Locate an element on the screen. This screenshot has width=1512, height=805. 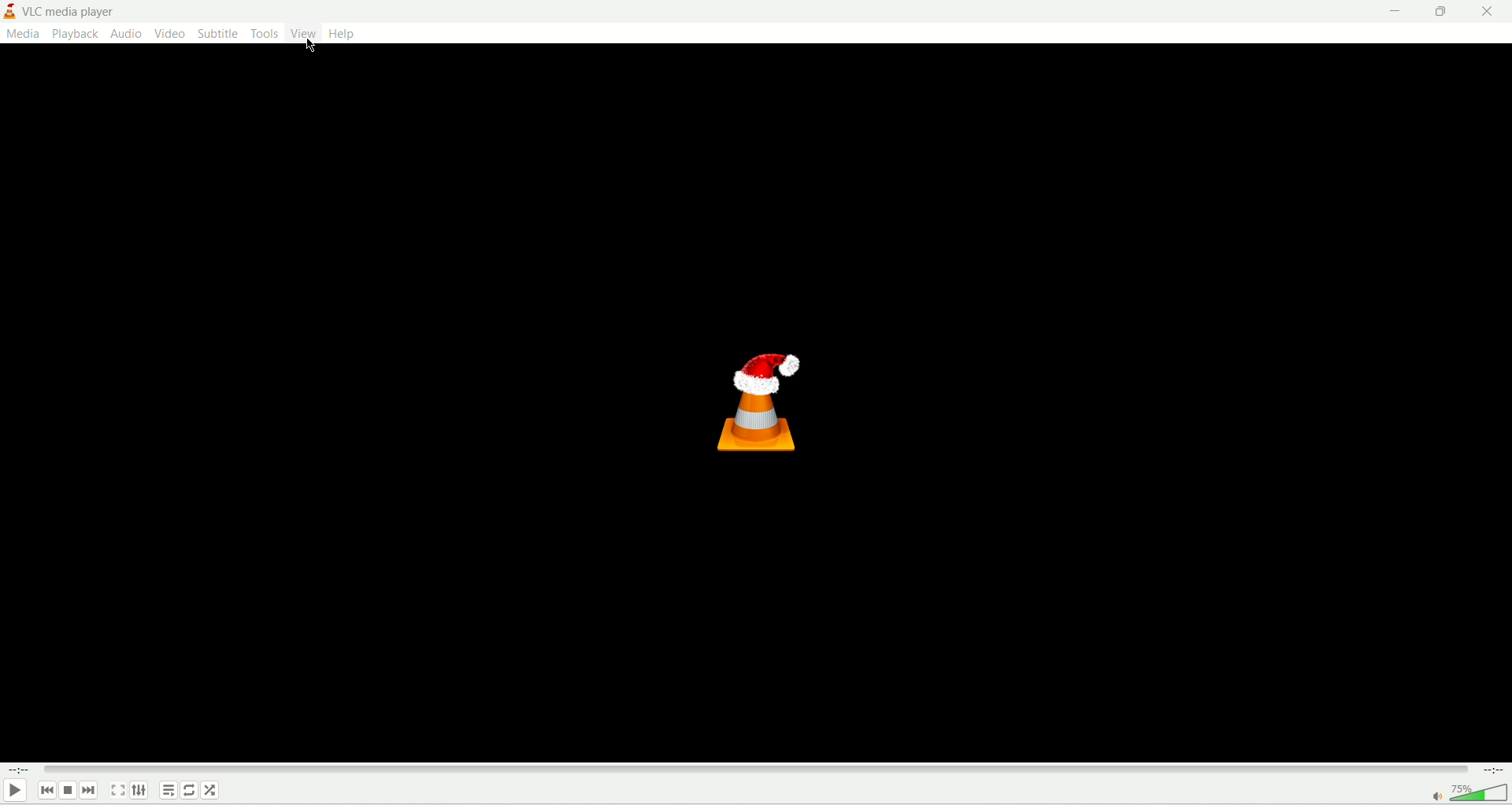
close is located at coordinates (1489, 13).